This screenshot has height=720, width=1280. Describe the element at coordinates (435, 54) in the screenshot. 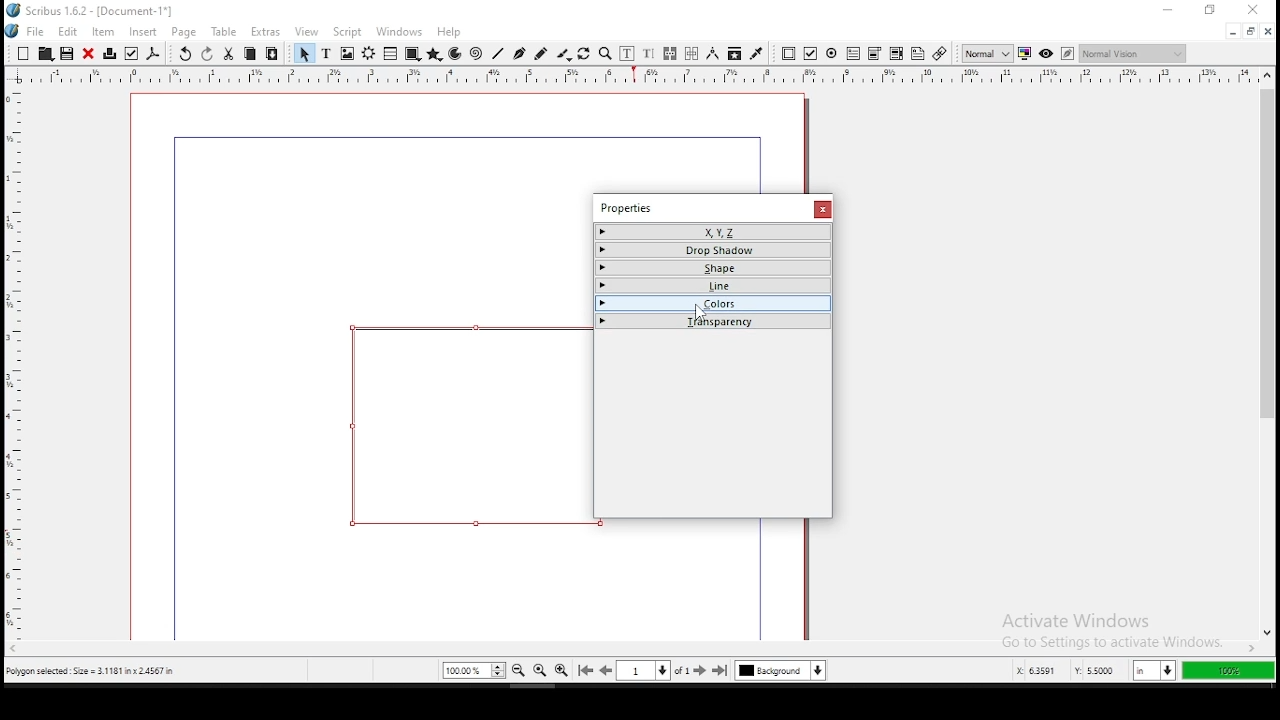

I see `polygon` at that location.